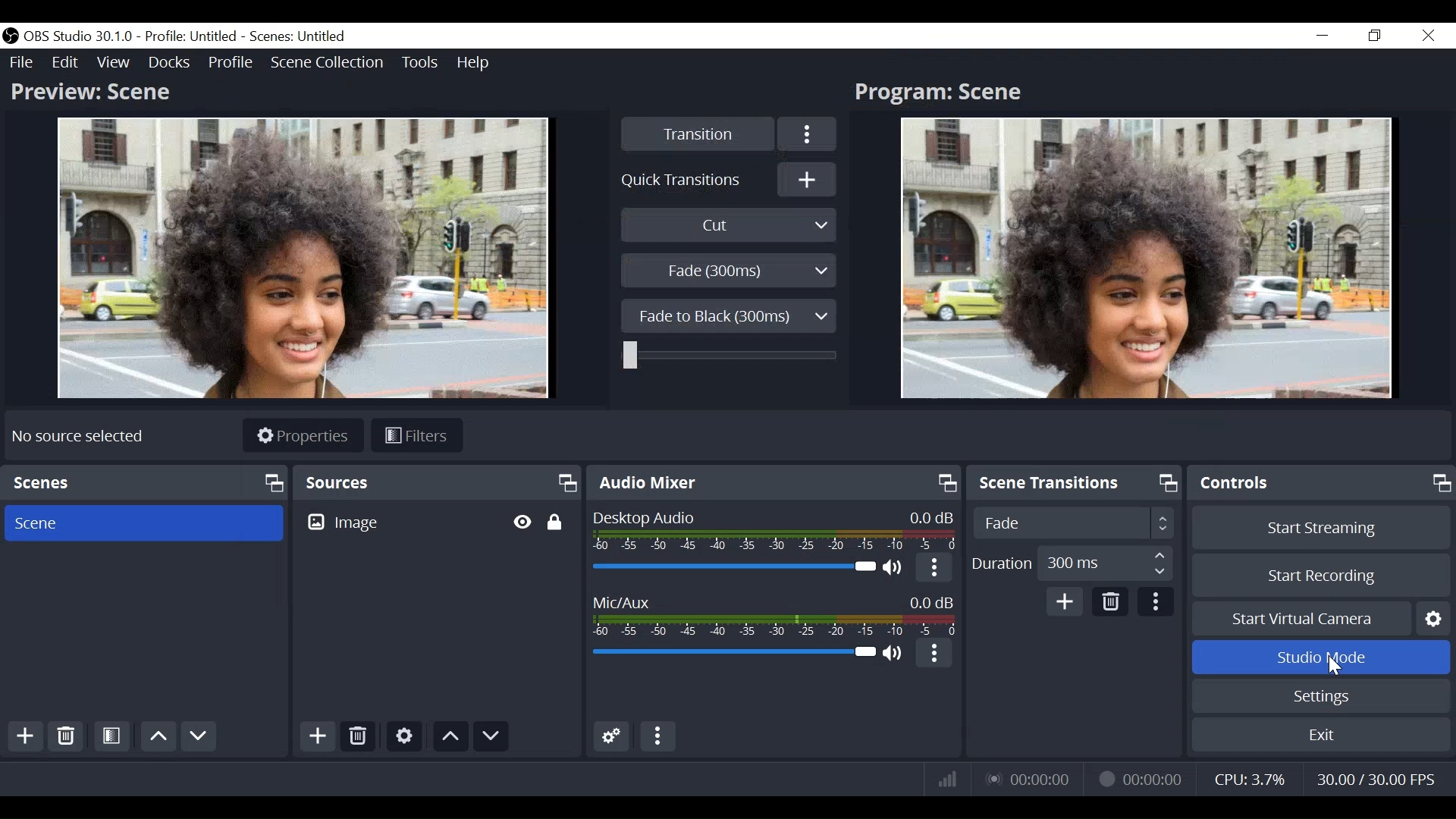 The width and height of the screenshot is (1456, 819). I want to click on Close, so click(1428, 36).